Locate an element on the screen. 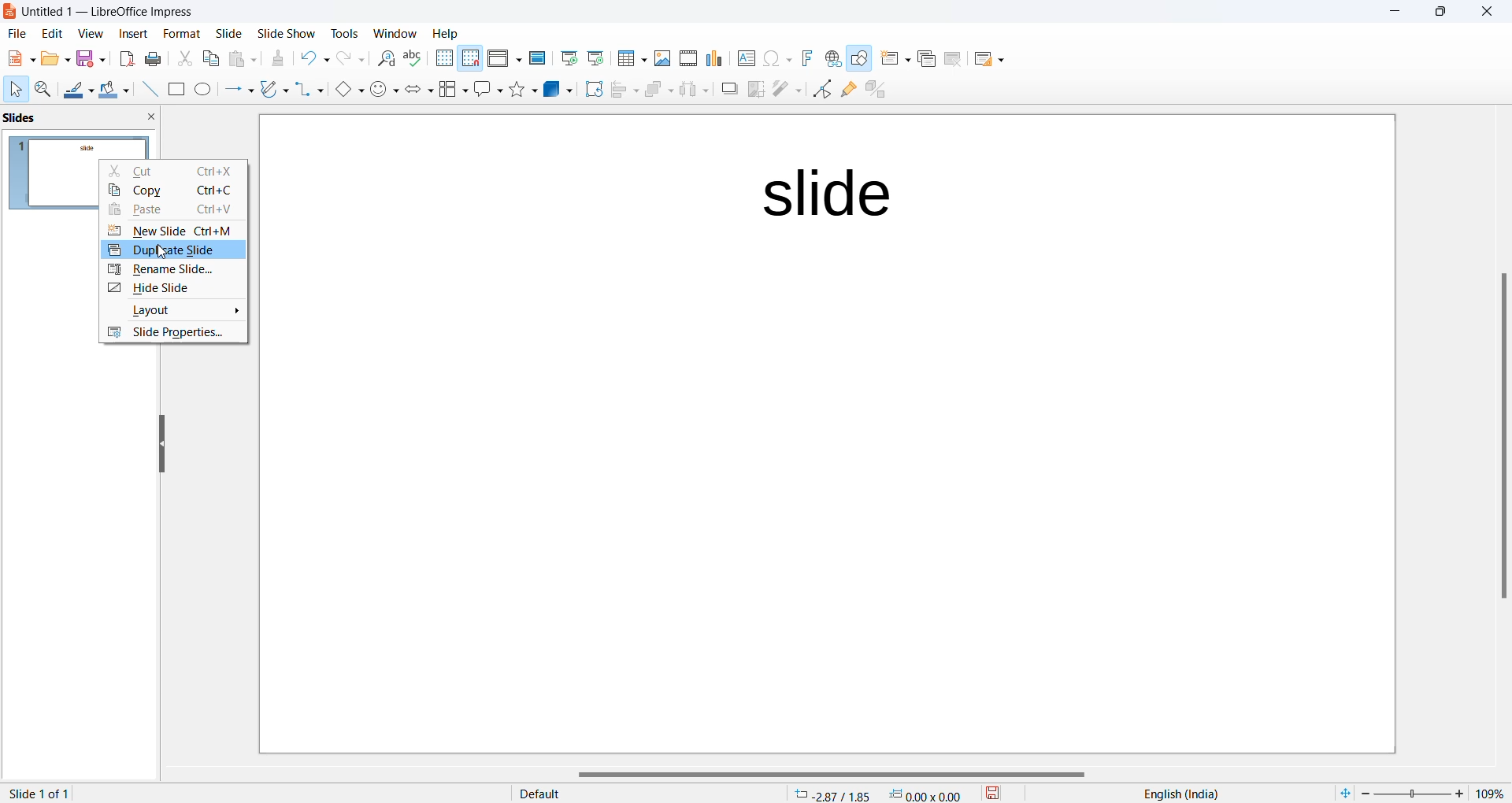 The image size is (1512, 803). Delete slide is located at coordinates (956, 58).